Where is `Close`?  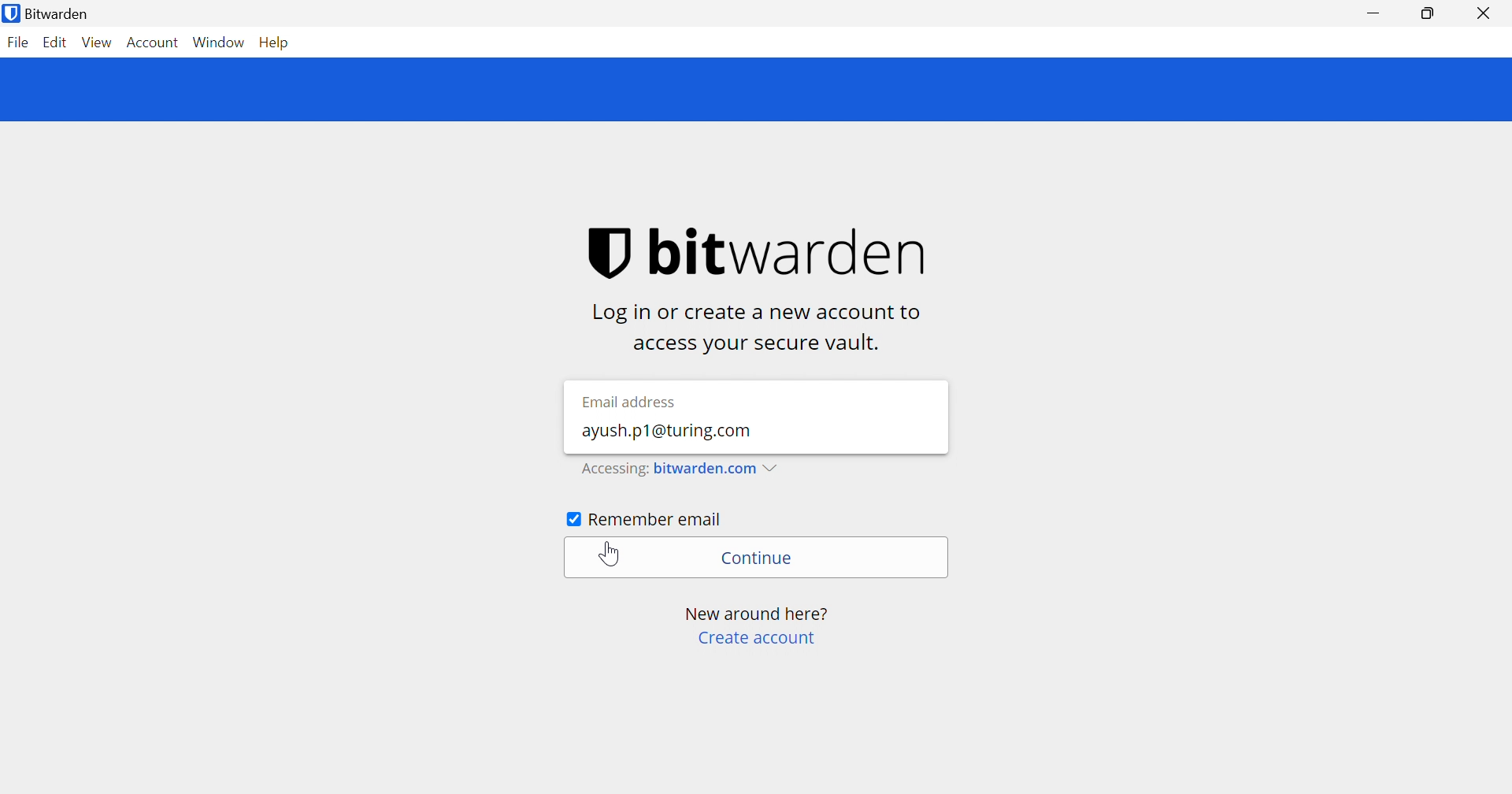
Close is located at coordinates (1485, 14).